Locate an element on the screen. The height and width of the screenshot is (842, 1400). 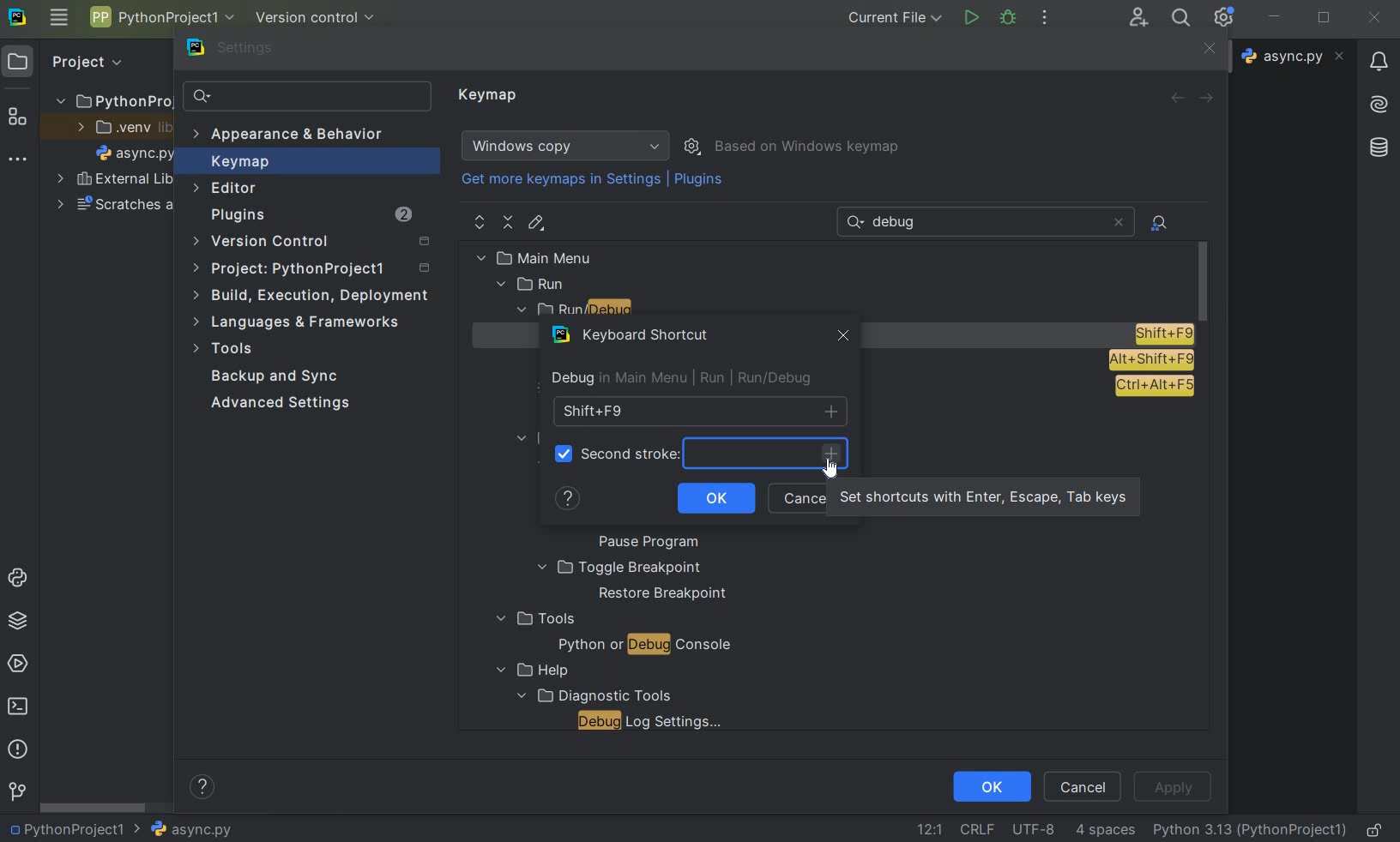
backup and sync is located at coordinates (275, 378).